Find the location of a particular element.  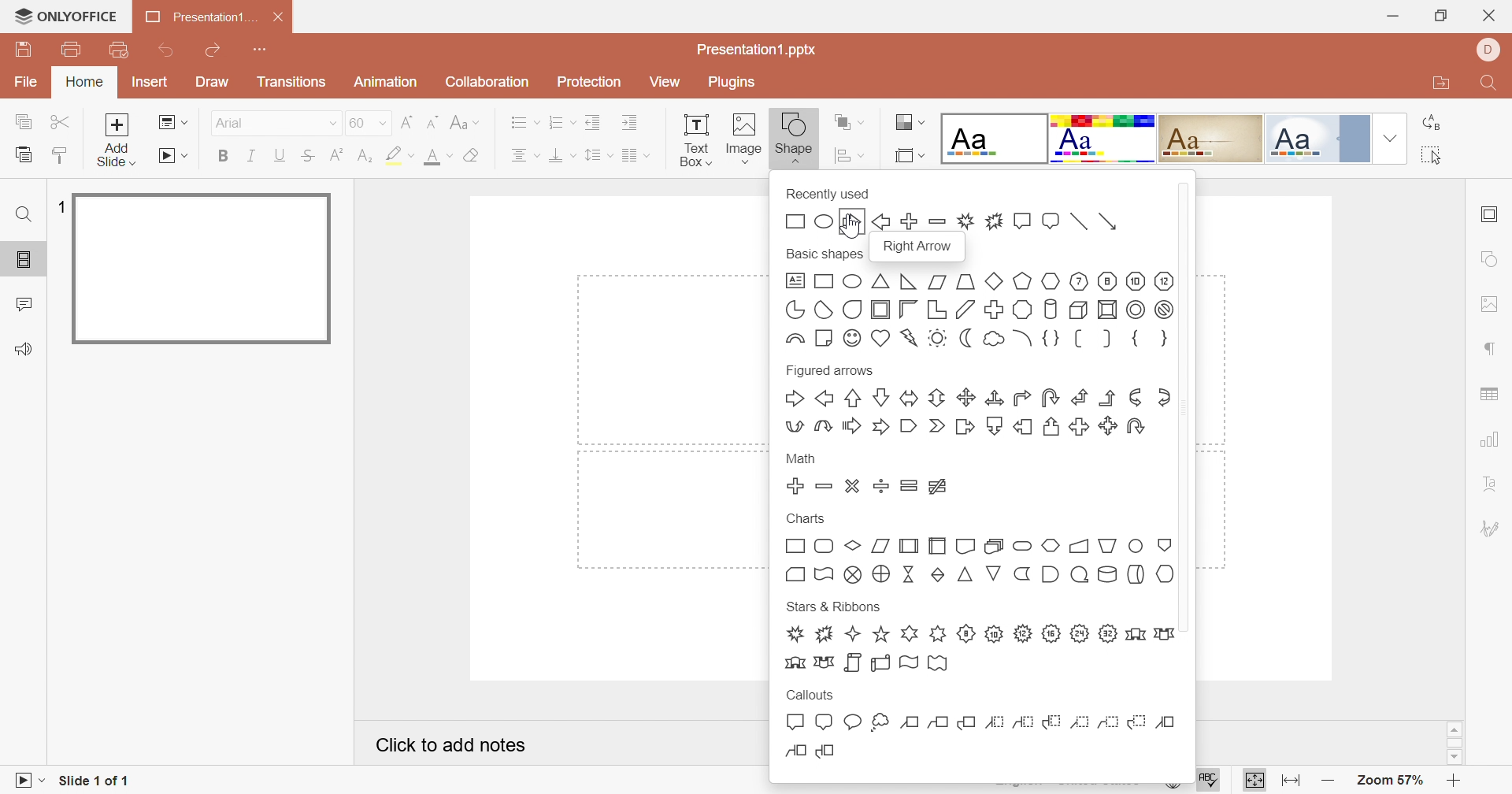

Cursor is located at coordinates (853, 224).